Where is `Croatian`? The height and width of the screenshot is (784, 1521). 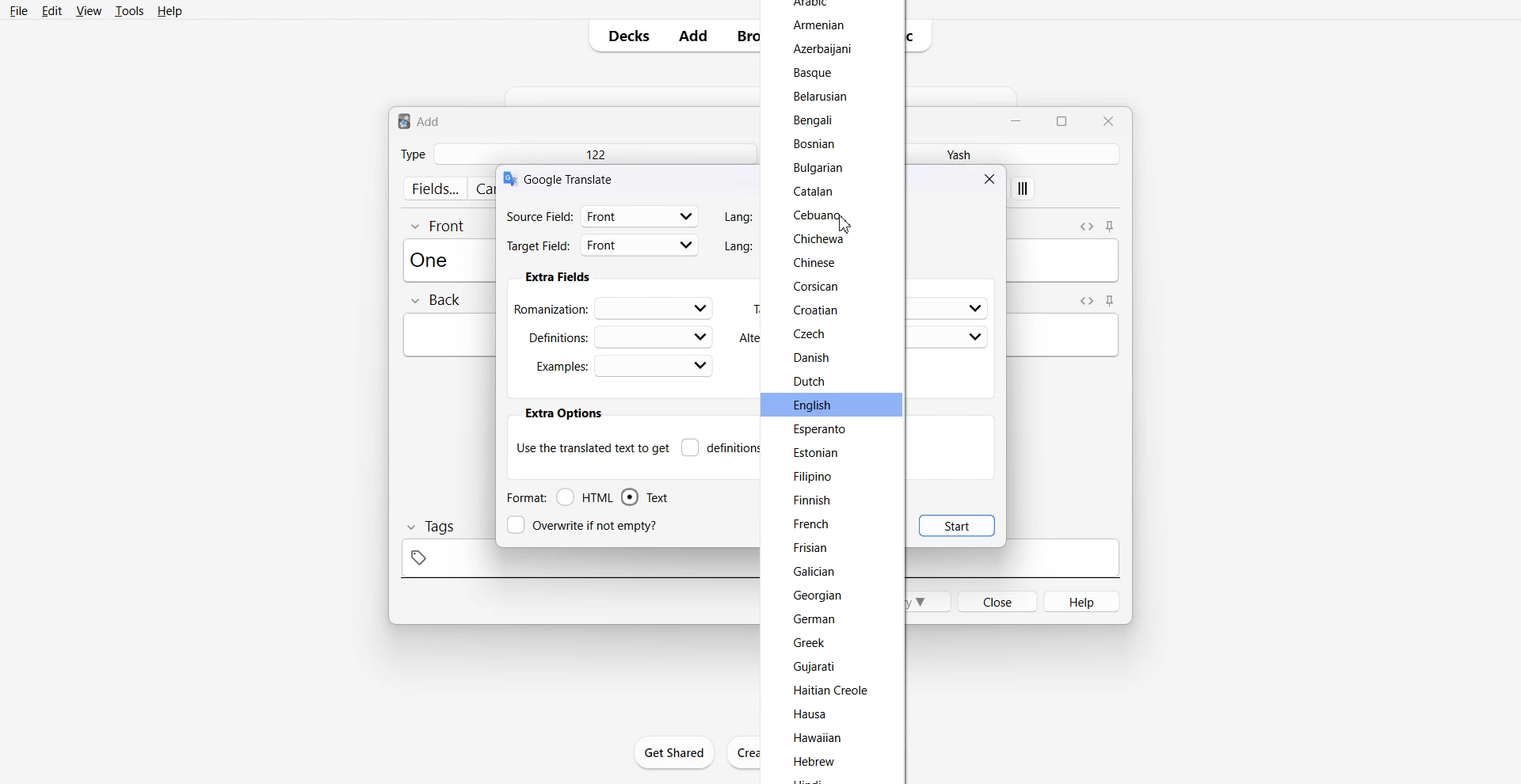 Croatian is located at coordinates (815, 310).